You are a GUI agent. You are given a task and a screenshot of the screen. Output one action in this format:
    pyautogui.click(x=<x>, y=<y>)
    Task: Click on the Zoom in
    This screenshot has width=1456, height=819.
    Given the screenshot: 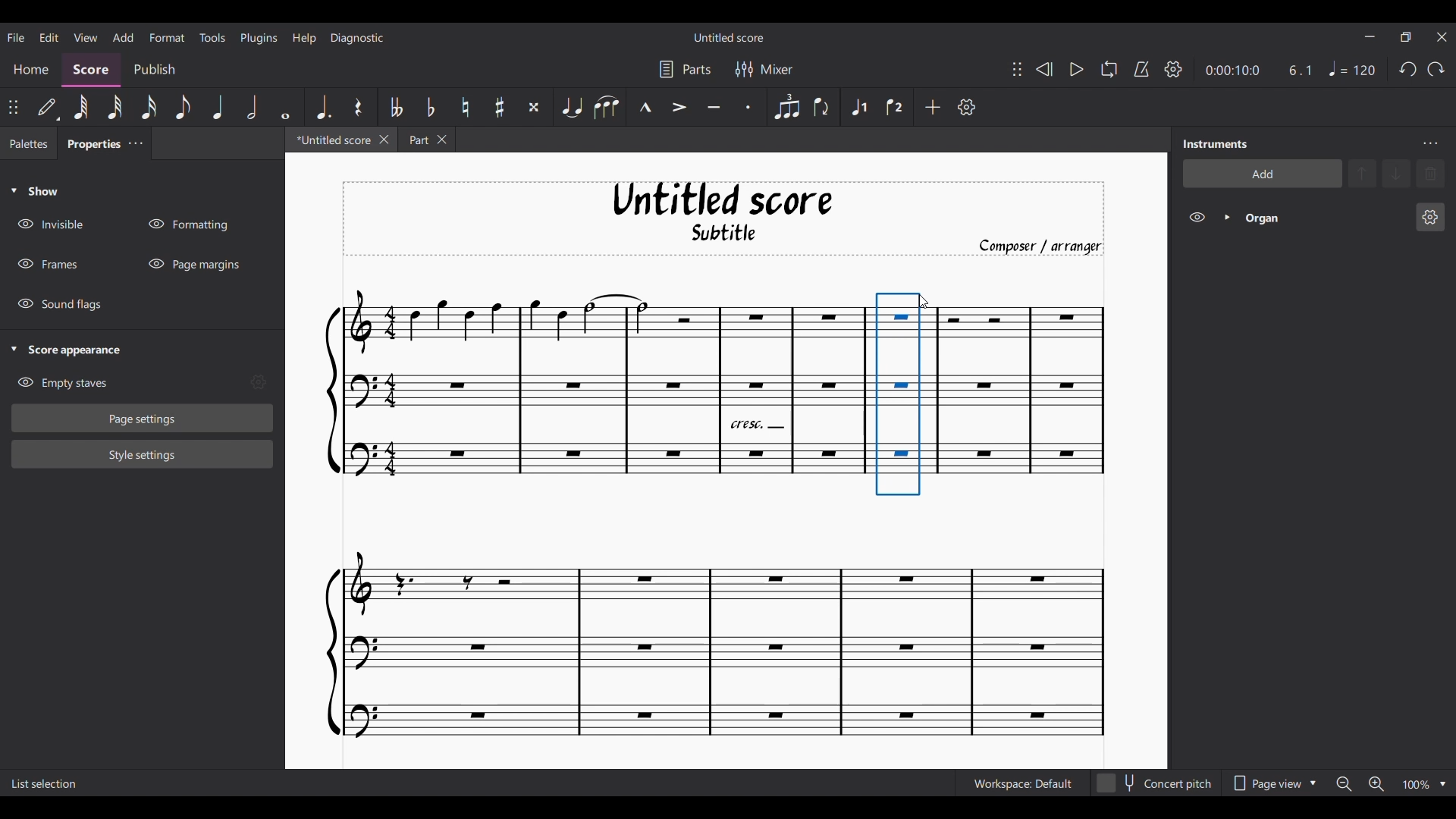 What is the action you would take?
    pyautogui.click(x=1376, y=784)
    